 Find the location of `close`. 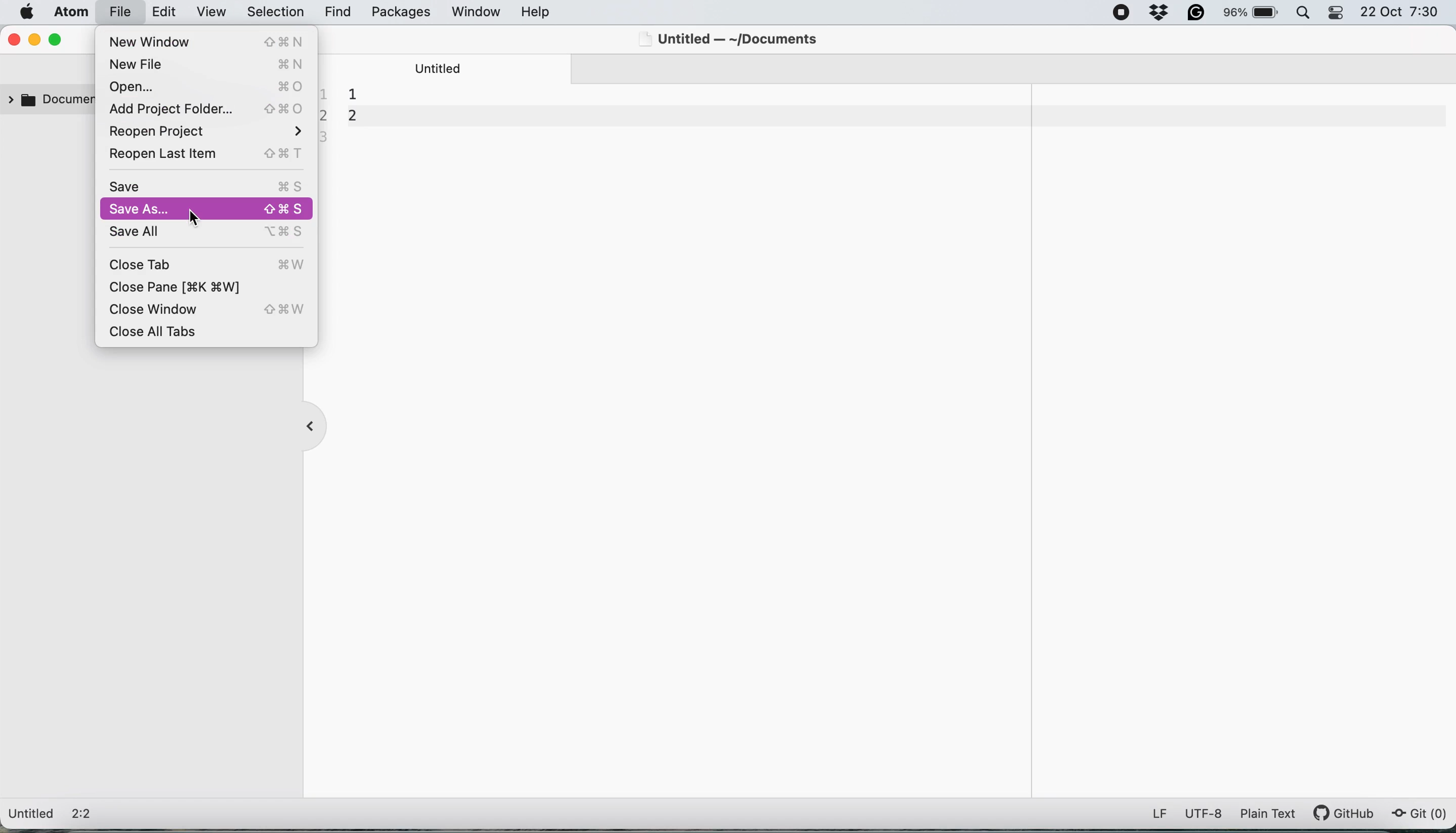

close is located at coordinates (12, 39).